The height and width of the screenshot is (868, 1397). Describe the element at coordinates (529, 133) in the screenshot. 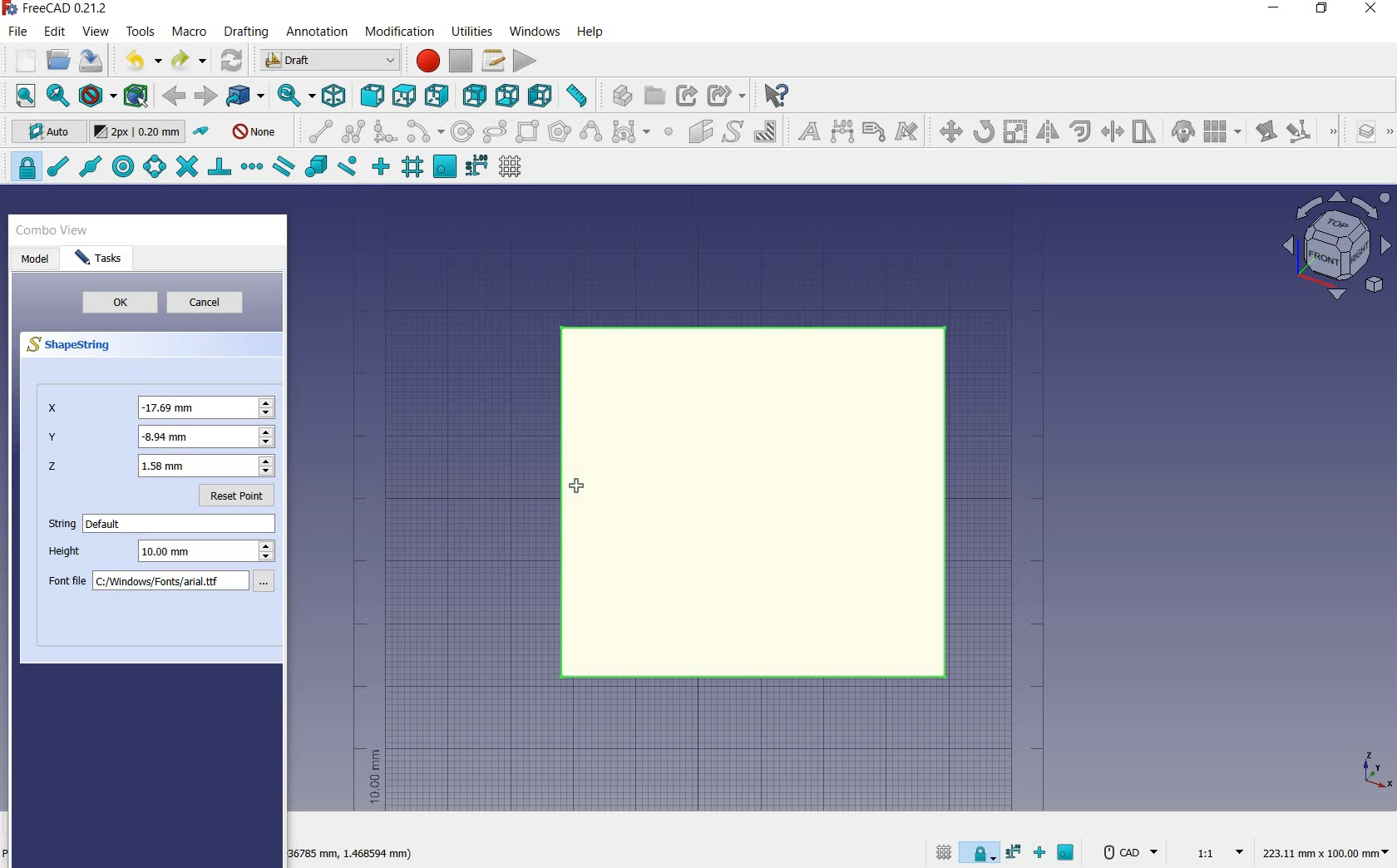

I see `rectangle` at that location.